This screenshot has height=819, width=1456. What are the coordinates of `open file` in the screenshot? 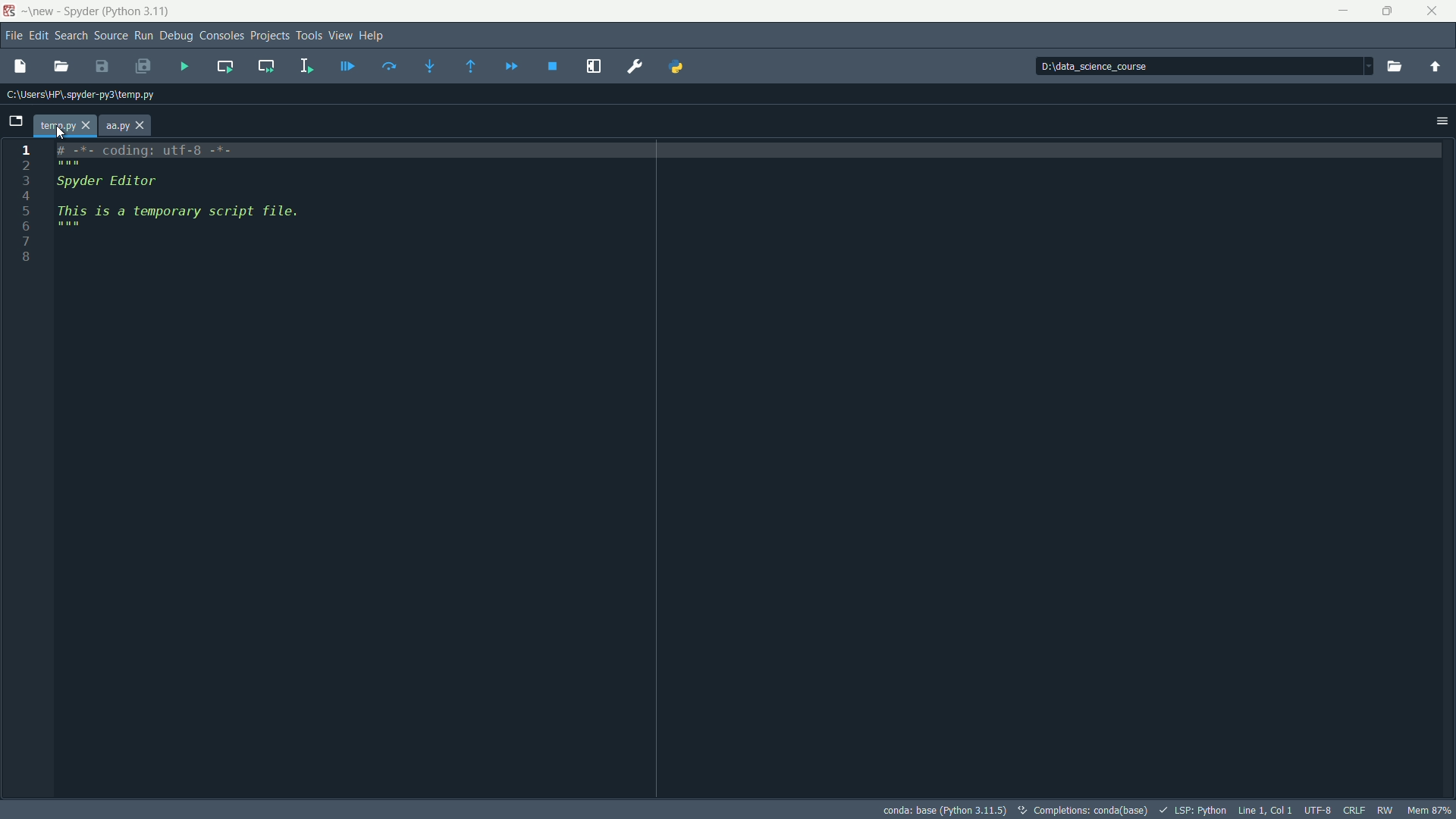 It's located at (61, 65).